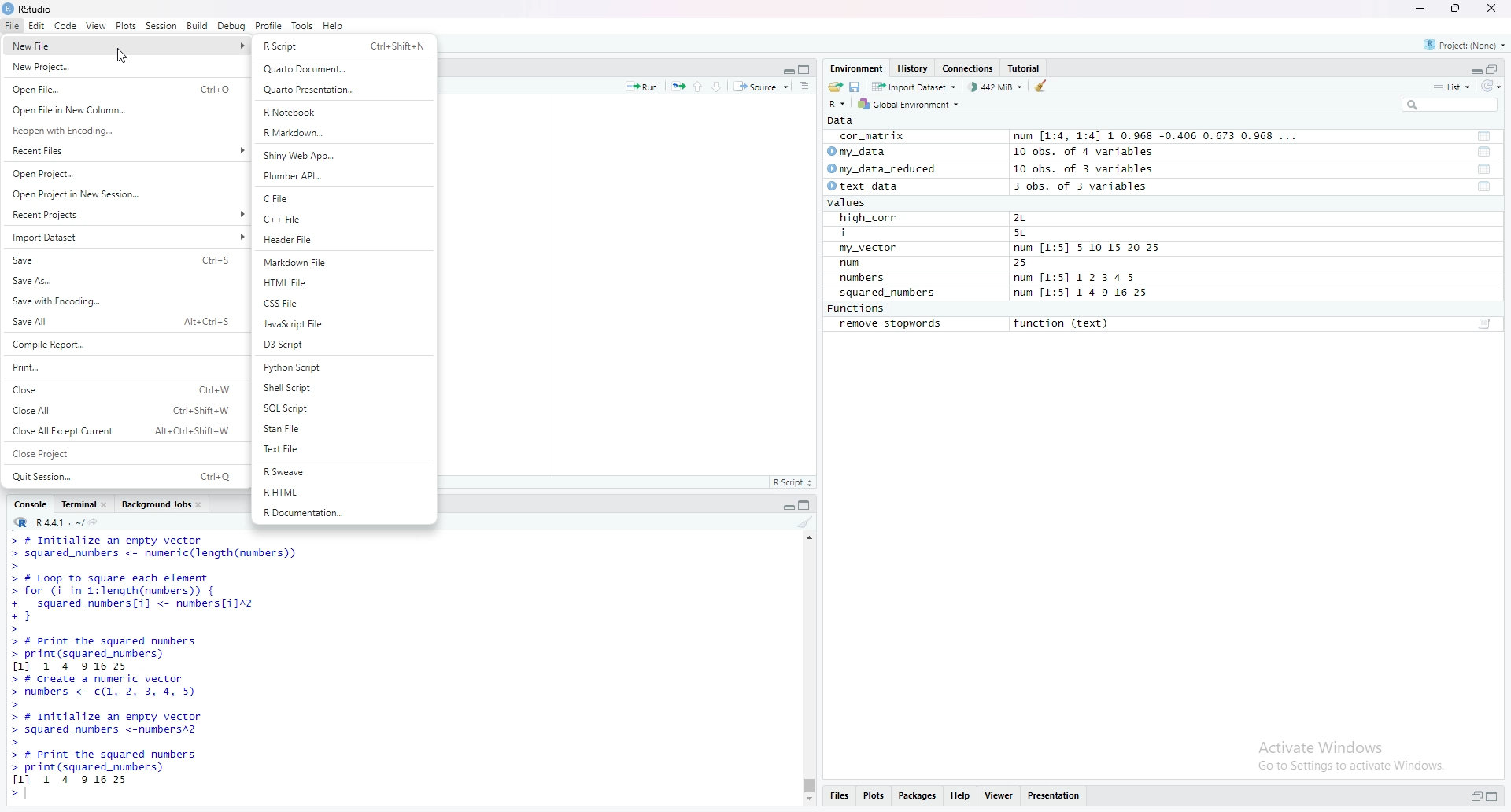 This screenshot has width=1511, height=812. Describe the element at coordinates (122, 322) in the screenshot. I see `Save All Alt+Ctr+S` at that location.